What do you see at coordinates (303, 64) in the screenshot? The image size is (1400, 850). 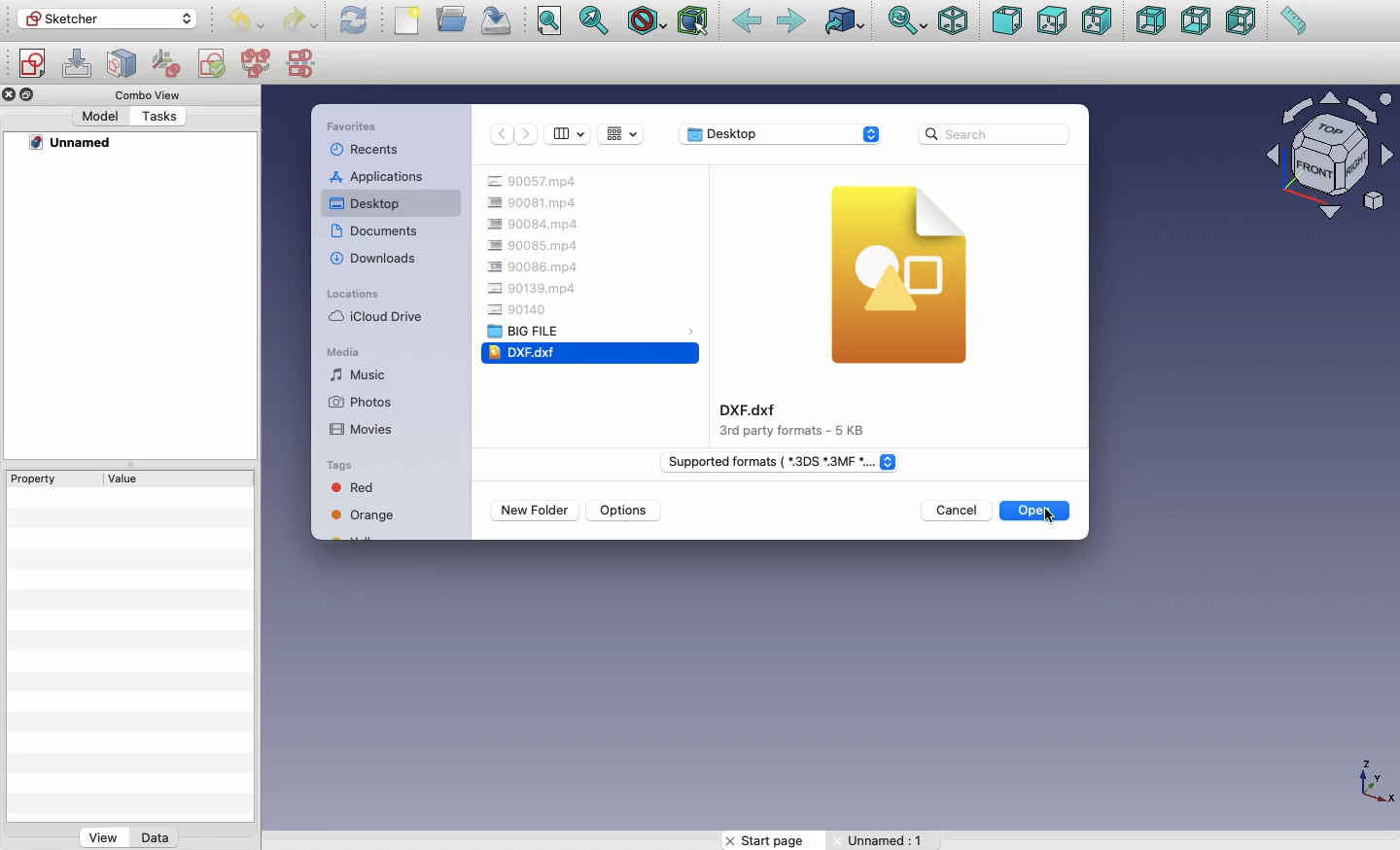 I see `Mirror sketch` at bounding box center [303, 64].